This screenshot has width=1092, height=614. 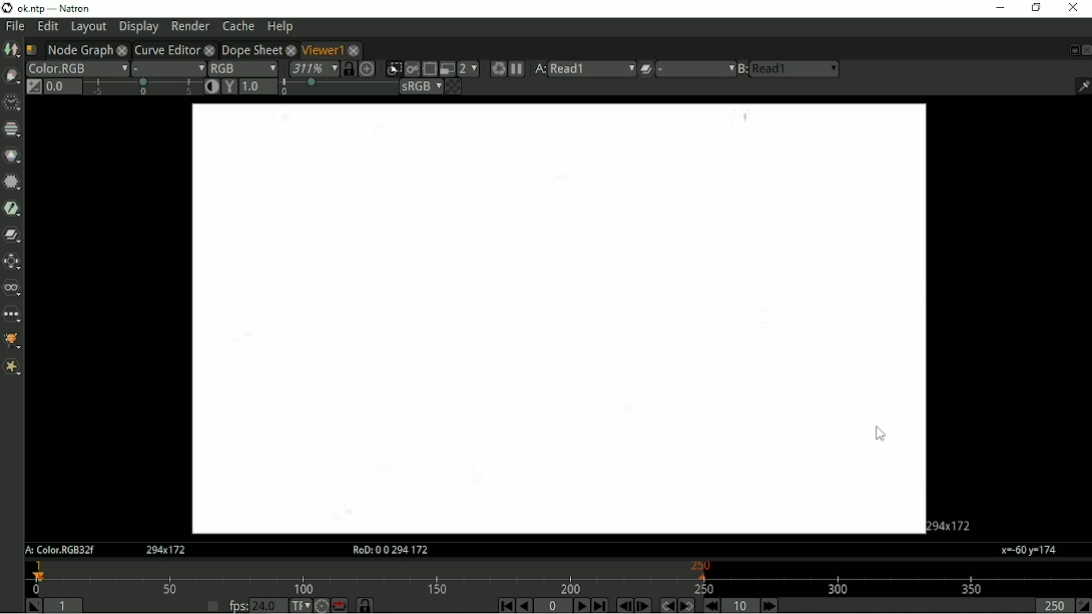 I want to click on Minimize, so click(x=1000, y=8).